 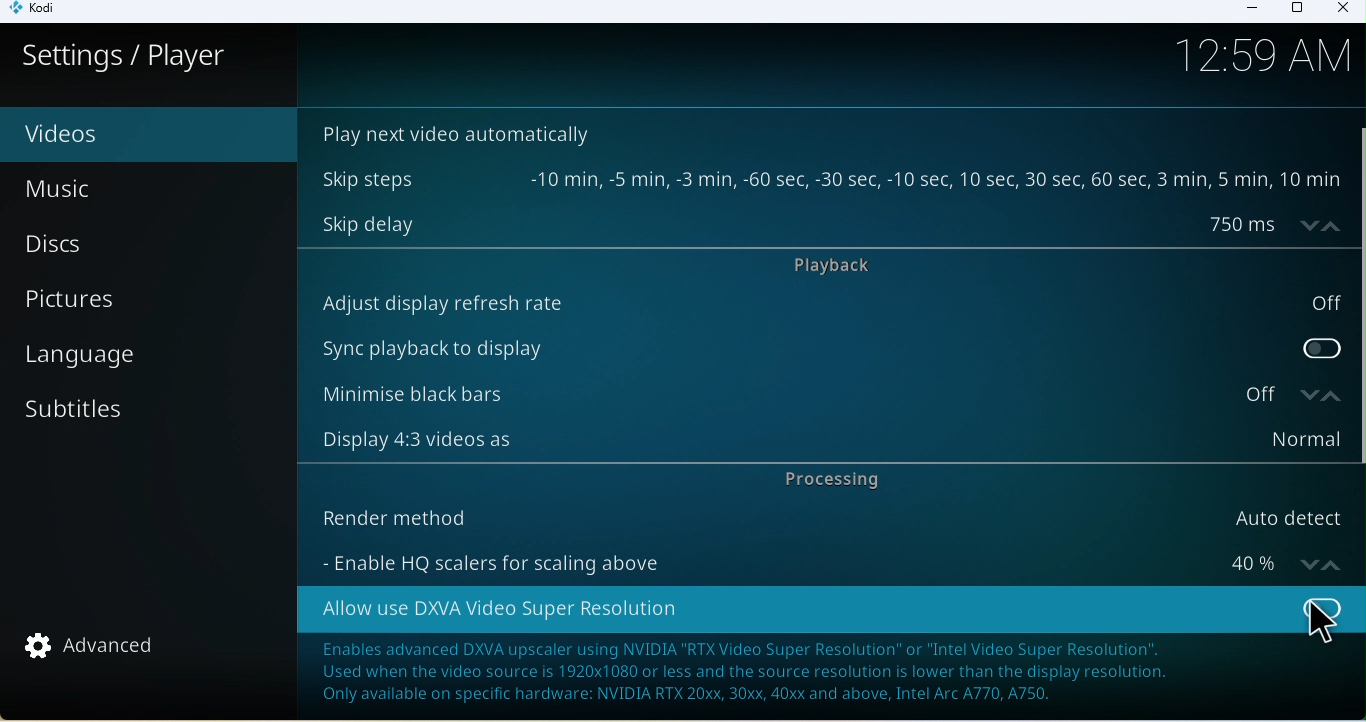 What do you see at coordinates (127, 416) in the screenshot?
I see `Subtitles` at bounding box center [127, 416].